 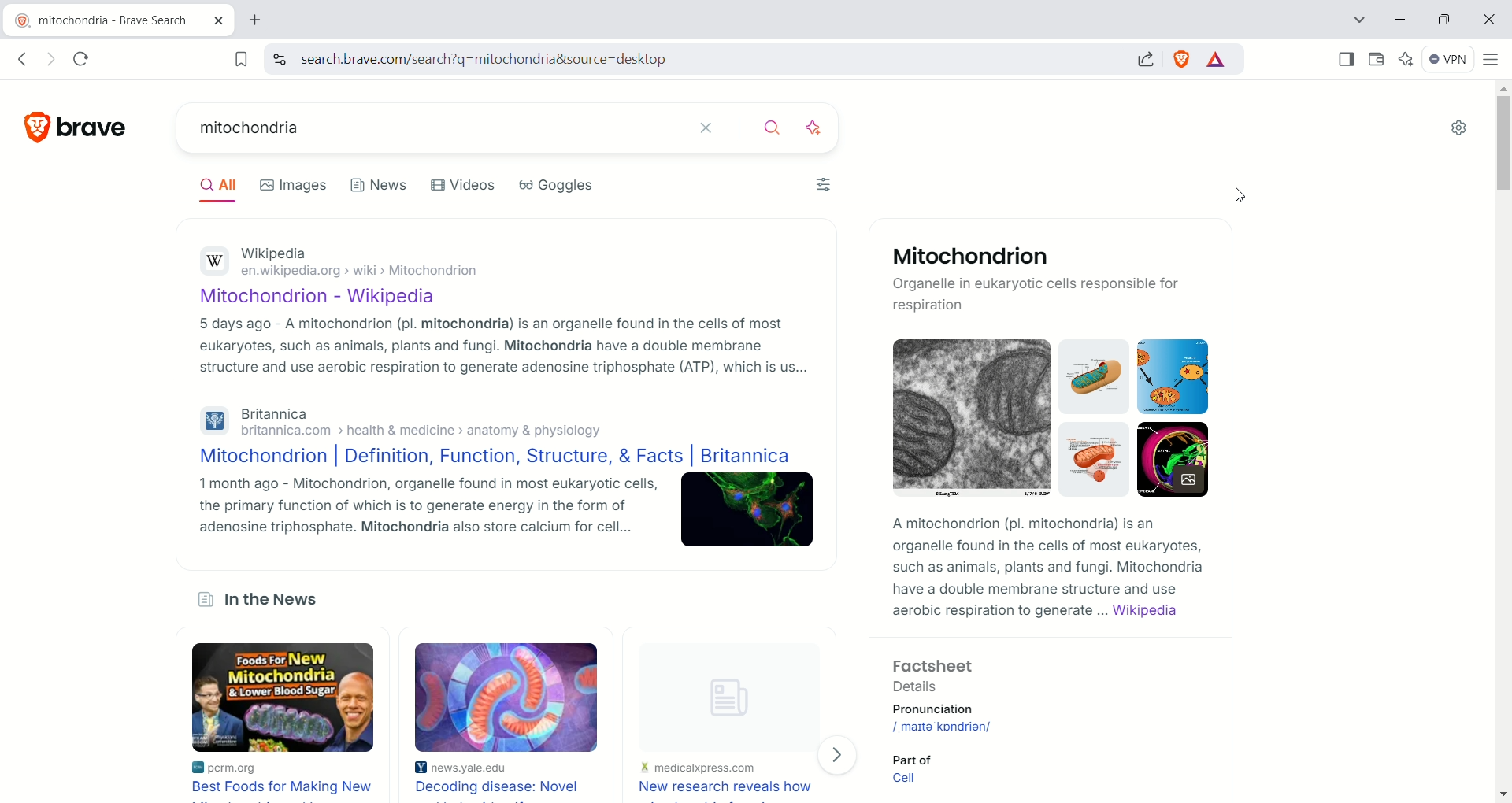 I want to click on /, maIta' kondrian/, so click(x=970, y=727).